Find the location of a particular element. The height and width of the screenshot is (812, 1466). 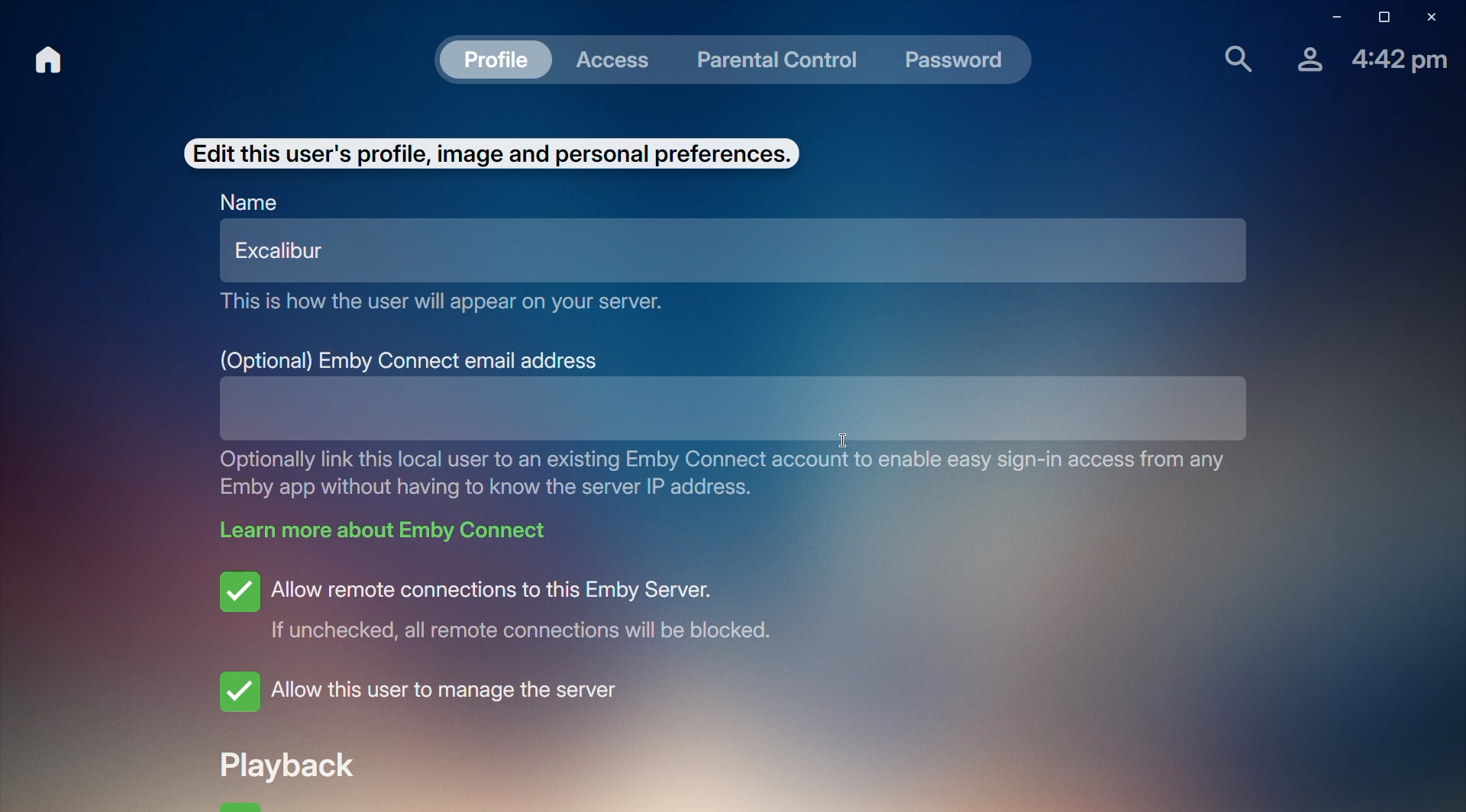

[ Edit this user's profile, image and personal preferences. is located at coordinates (489, 150).